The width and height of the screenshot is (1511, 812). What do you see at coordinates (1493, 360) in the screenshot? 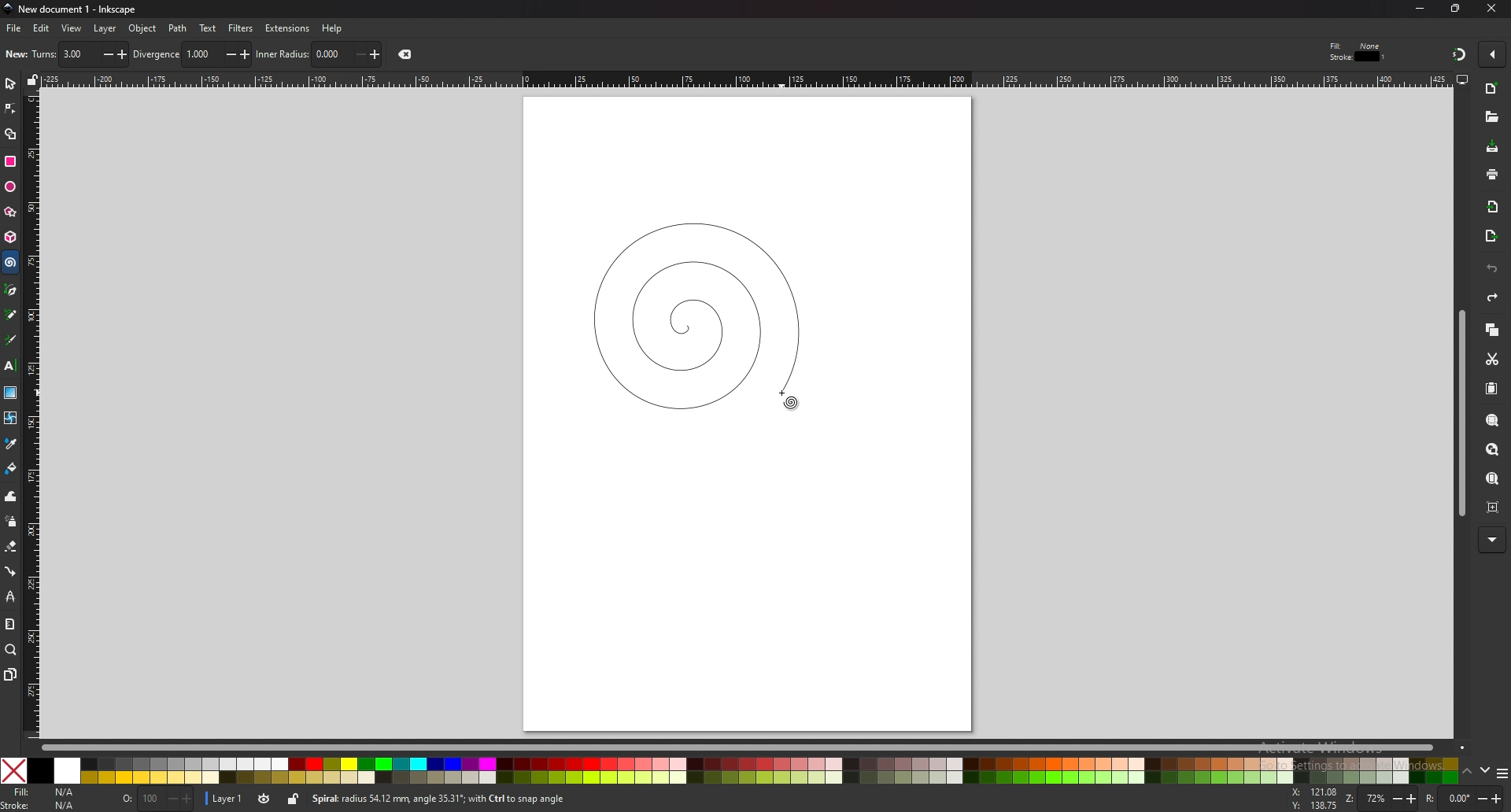
I see `cut` at bounding box center [1493, 360].